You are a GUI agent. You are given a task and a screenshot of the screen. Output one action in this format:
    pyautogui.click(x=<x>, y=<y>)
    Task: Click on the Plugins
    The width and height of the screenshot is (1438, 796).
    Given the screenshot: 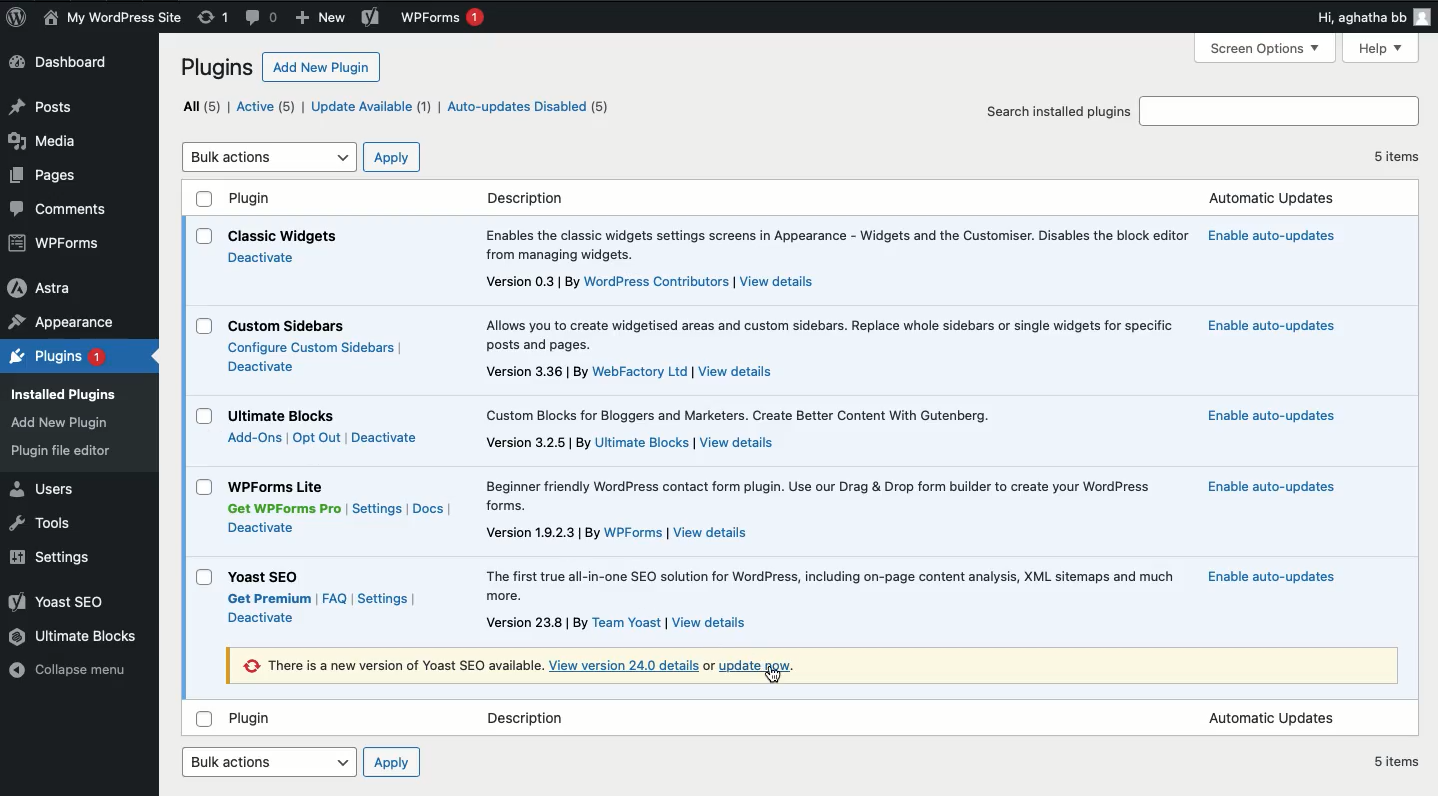 What is the action you would take?
    pyautogui.click(x=219, y=67)
    